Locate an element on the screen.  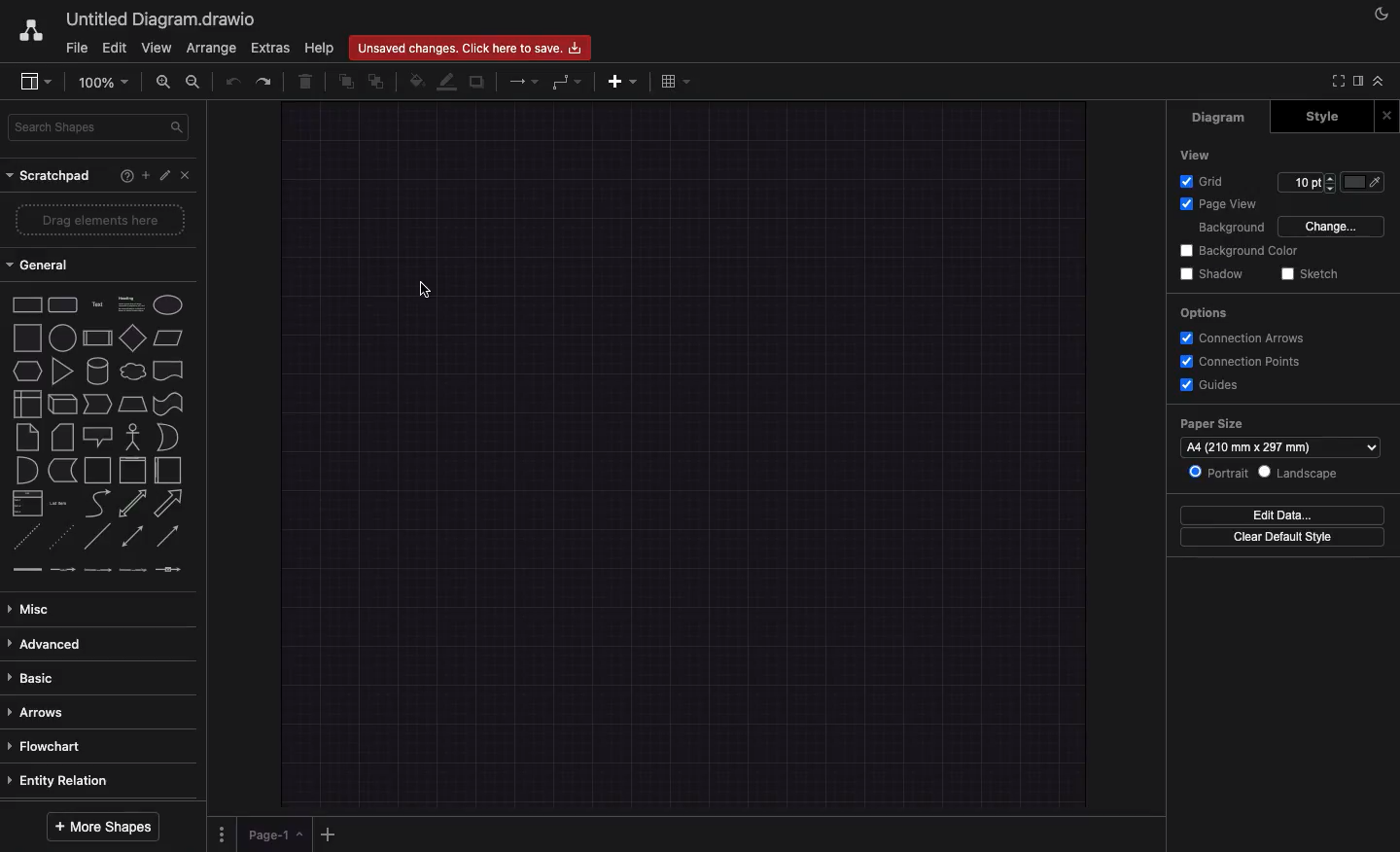
Connection points is located at coordinates (1236, 361).